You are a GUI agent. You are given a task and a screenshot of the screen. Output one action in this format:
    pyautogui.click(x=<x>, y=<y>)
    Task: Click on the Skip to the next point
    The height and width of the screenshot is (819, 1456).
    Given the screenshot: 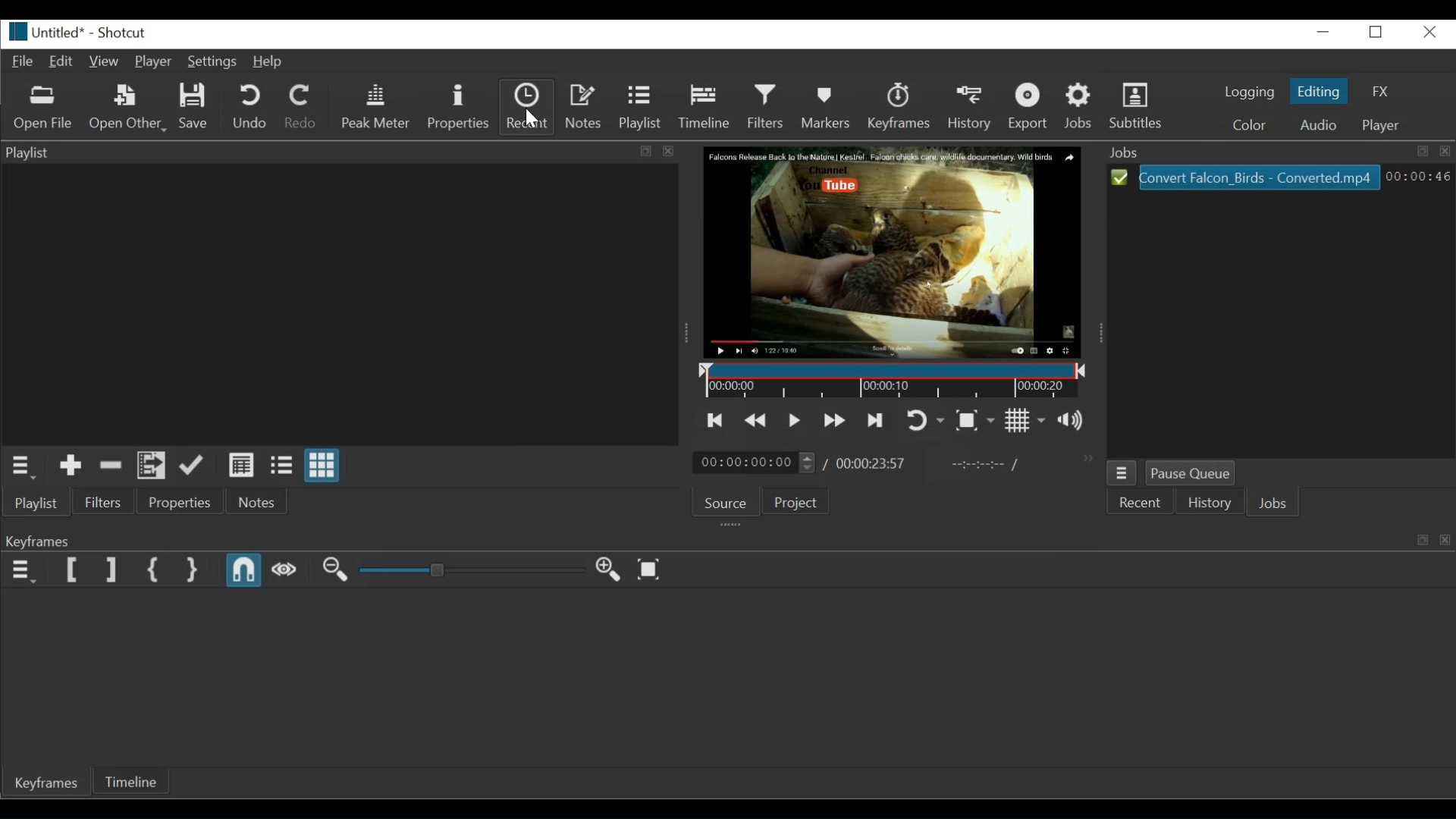 What is the action you would take?
    pyautogui.click(x=873, y=421)
    